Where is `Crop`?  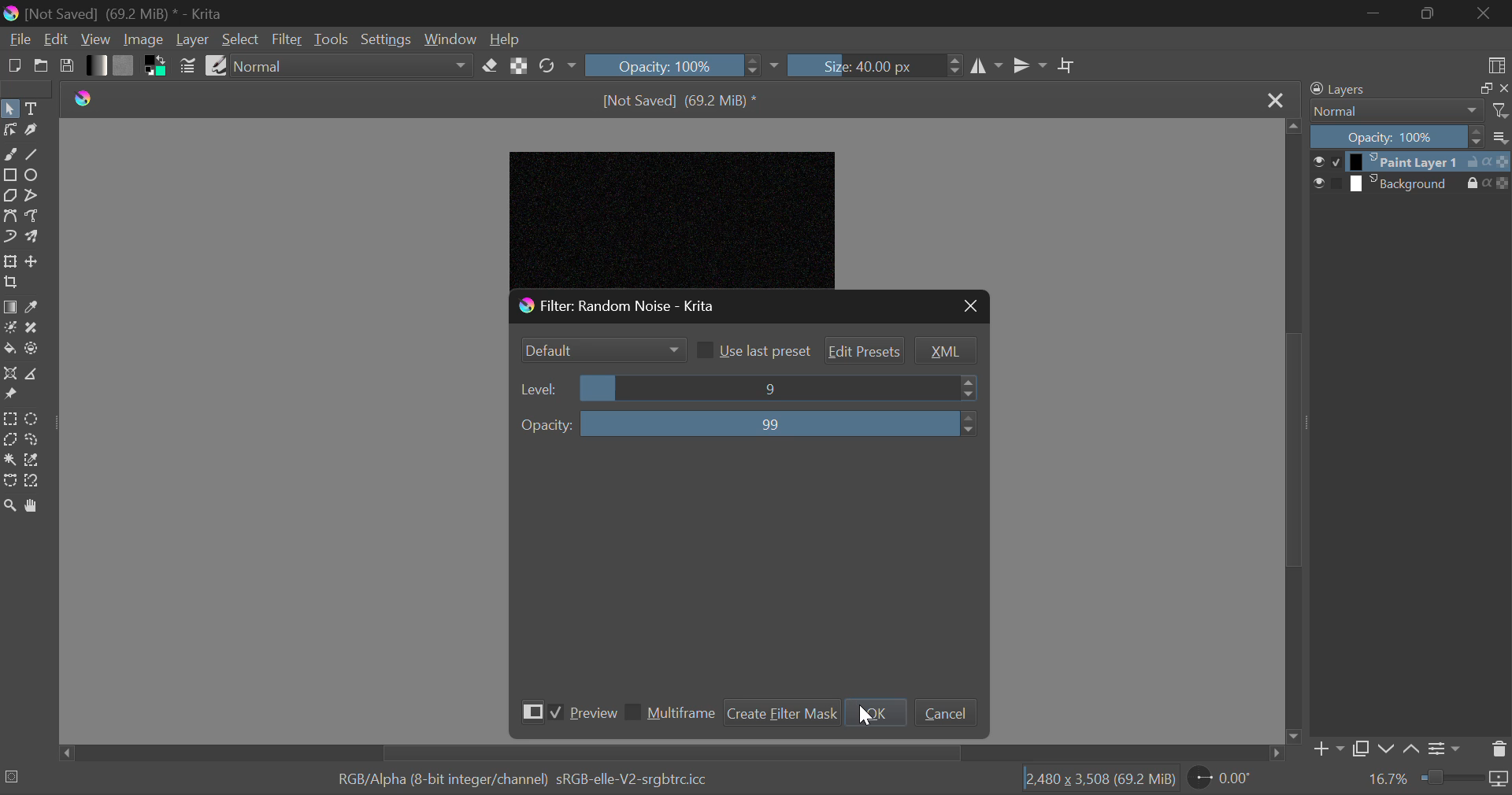 Crop is located at coordinates (9, 283).